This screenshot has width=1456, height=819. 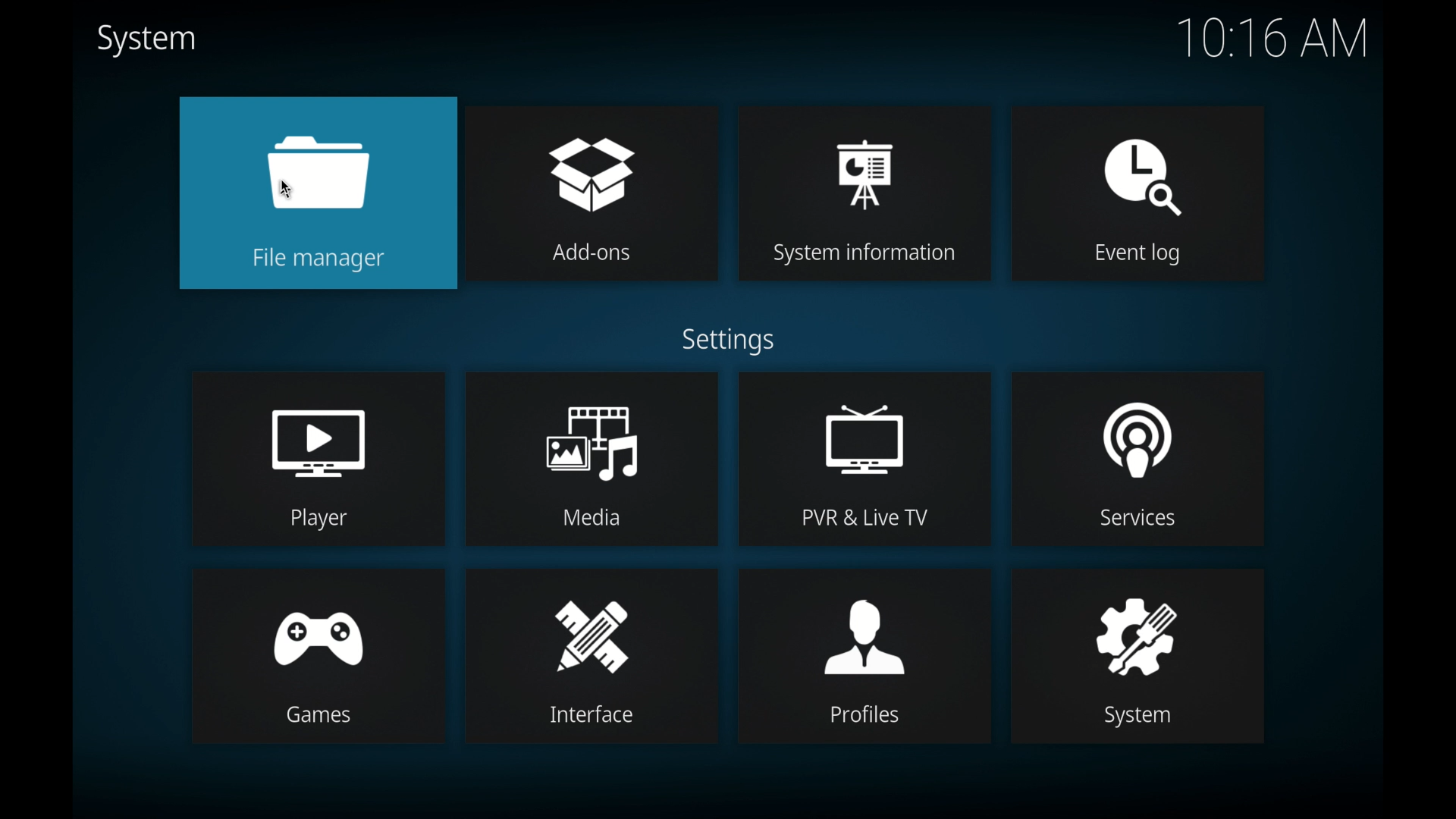 What do you see at coordinates (147, 41) in the screenshot?
I see `system` at bounding box center [147, 41].